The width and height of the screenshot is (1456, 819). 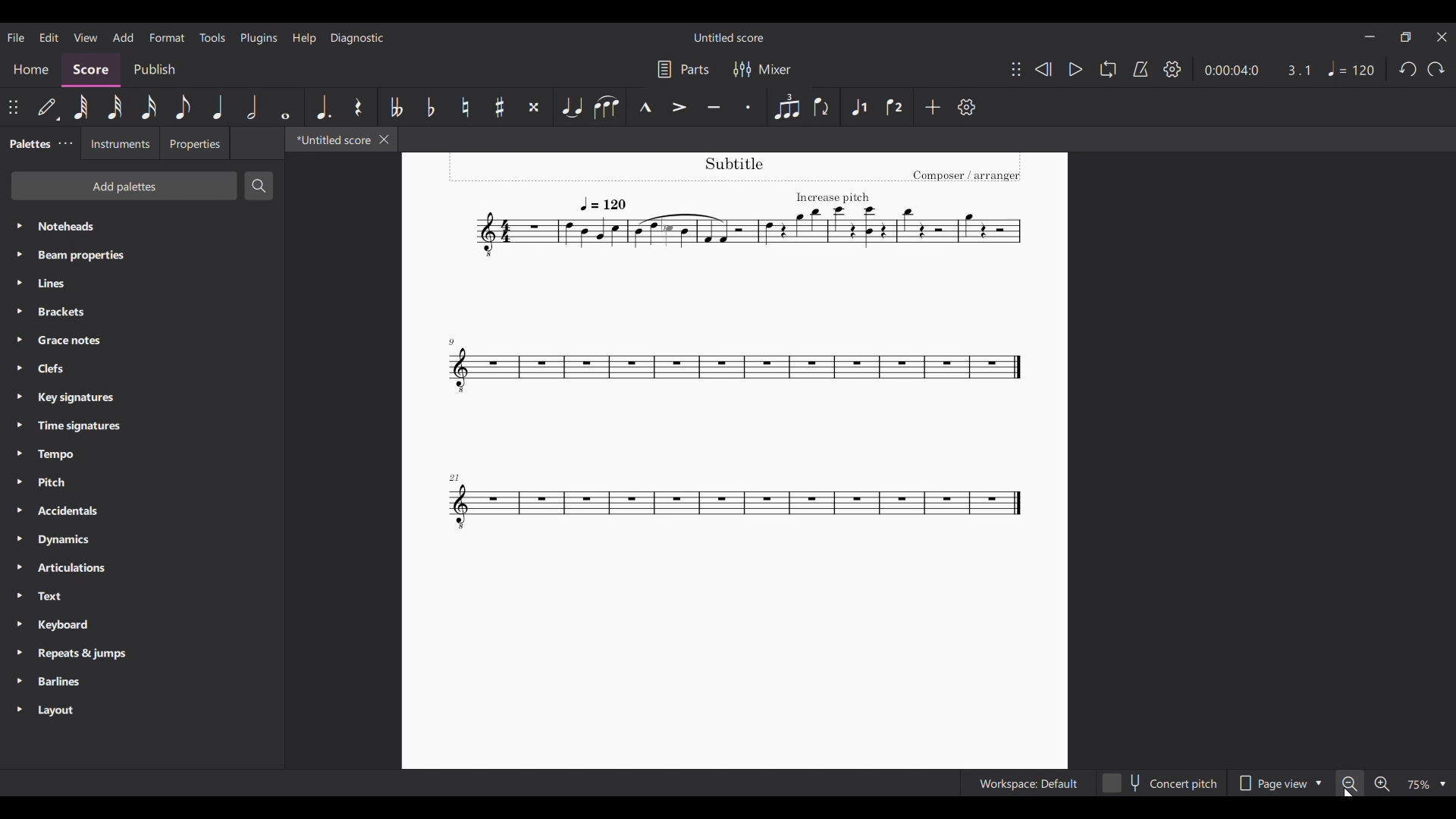 I want to click on Settings, so click(x=967, y=107).